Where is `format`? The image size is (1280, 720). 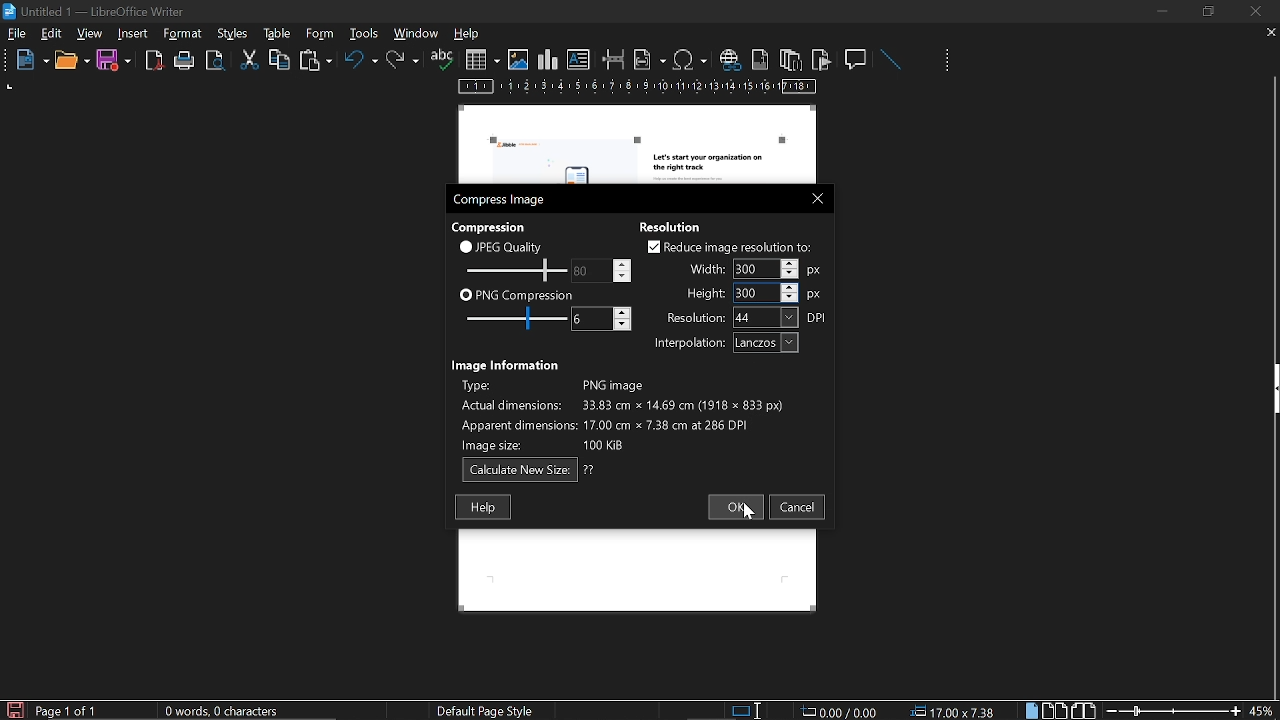
format is located at coordinates (231, 32).